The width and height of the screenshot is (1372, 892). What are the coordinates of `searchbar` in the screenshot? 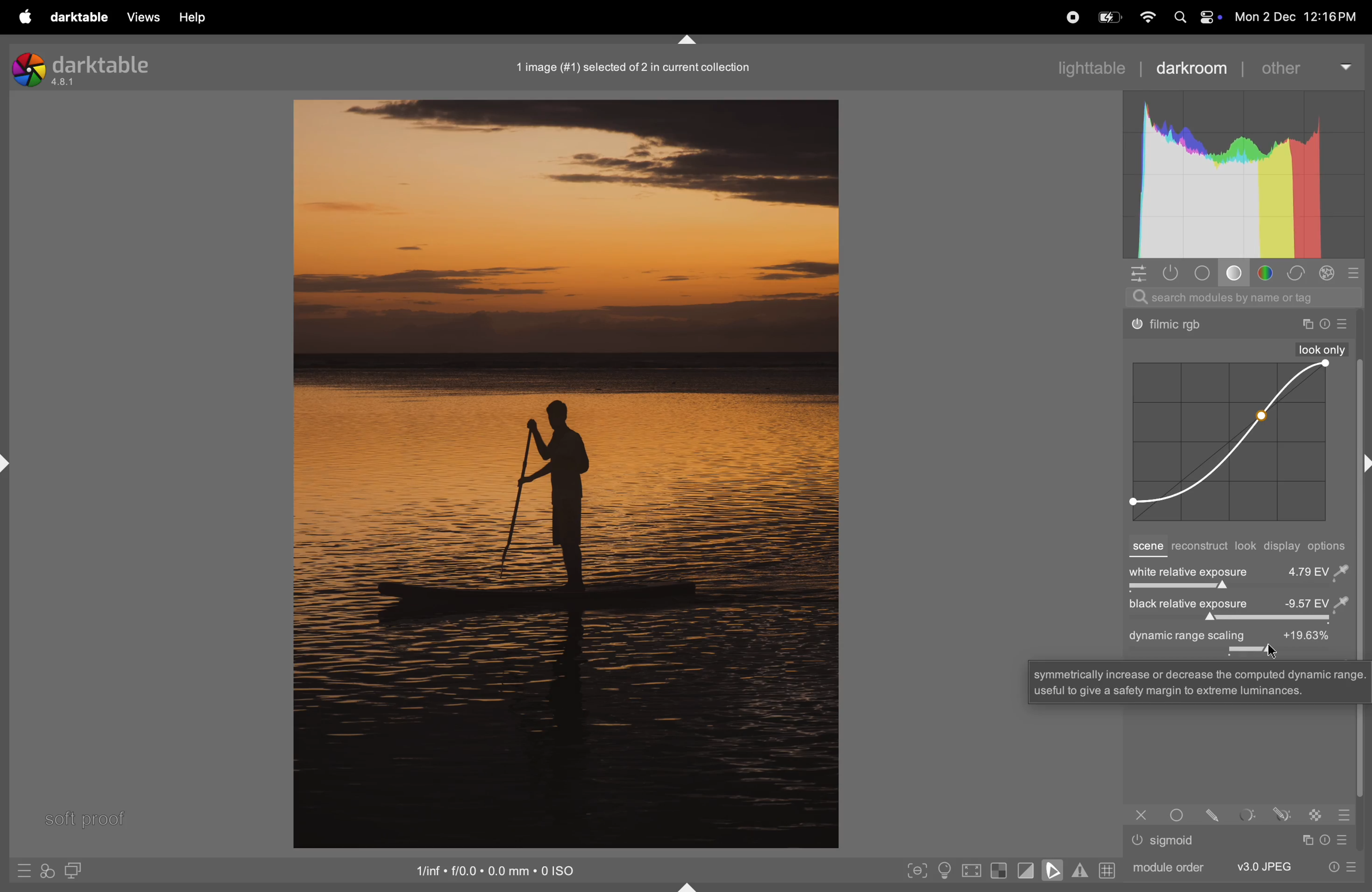 It's located at (1243, 297).